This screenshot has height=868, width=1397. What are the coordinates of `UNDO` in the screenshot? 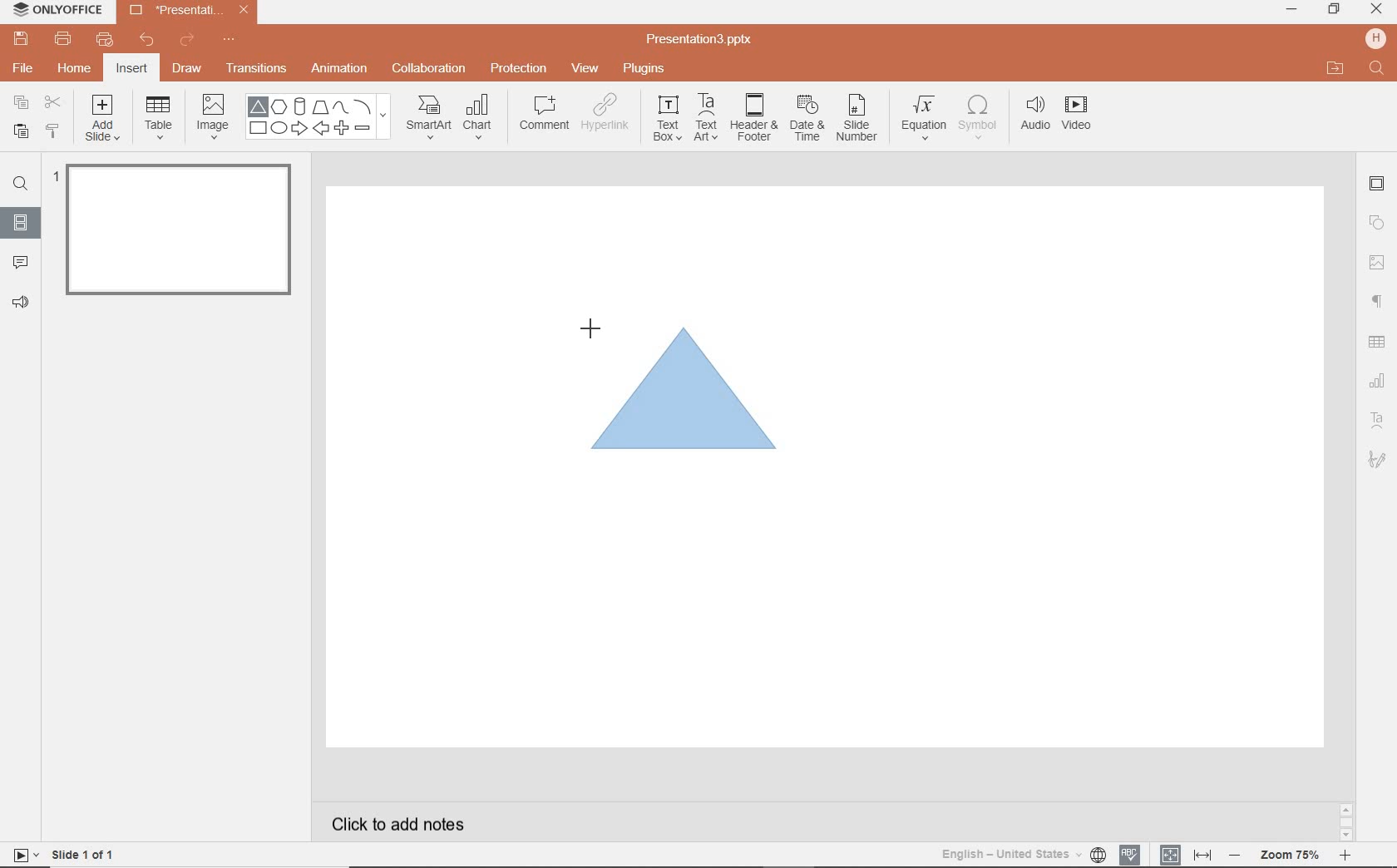 It's located at (148, 41).